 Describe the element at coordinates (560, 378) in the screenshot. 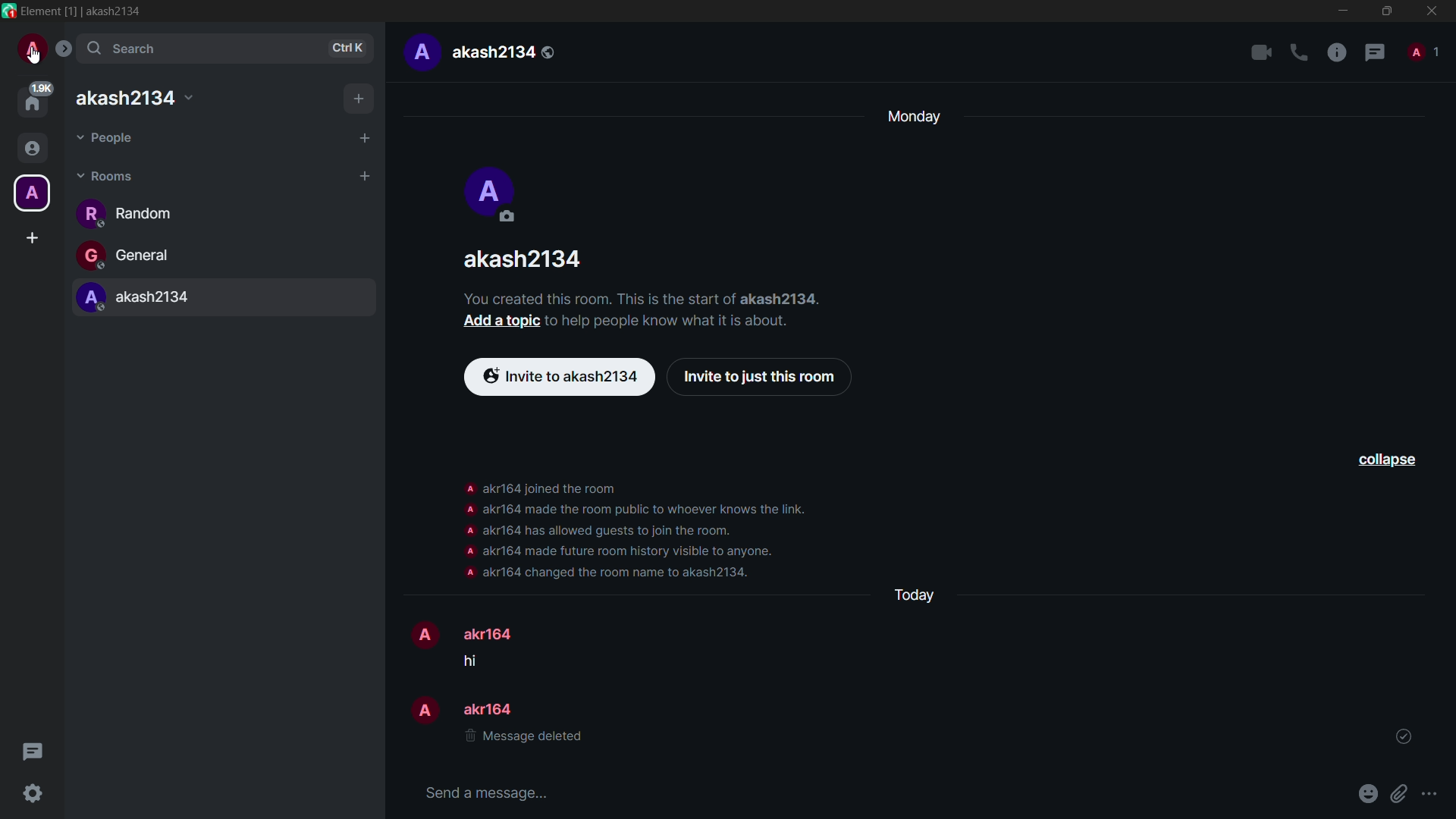

I see `invite to akash2134` at that location.